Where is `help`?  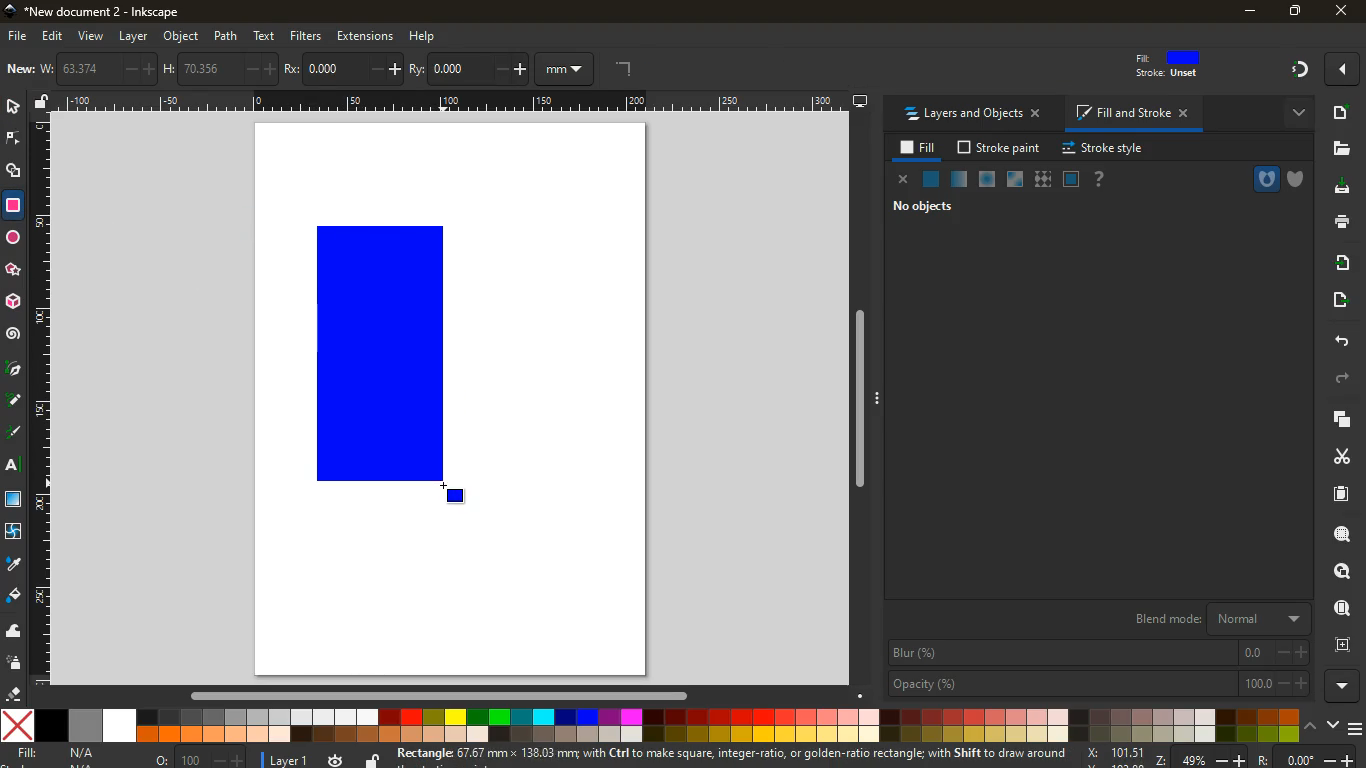
help is located at coordinates (424, 37).